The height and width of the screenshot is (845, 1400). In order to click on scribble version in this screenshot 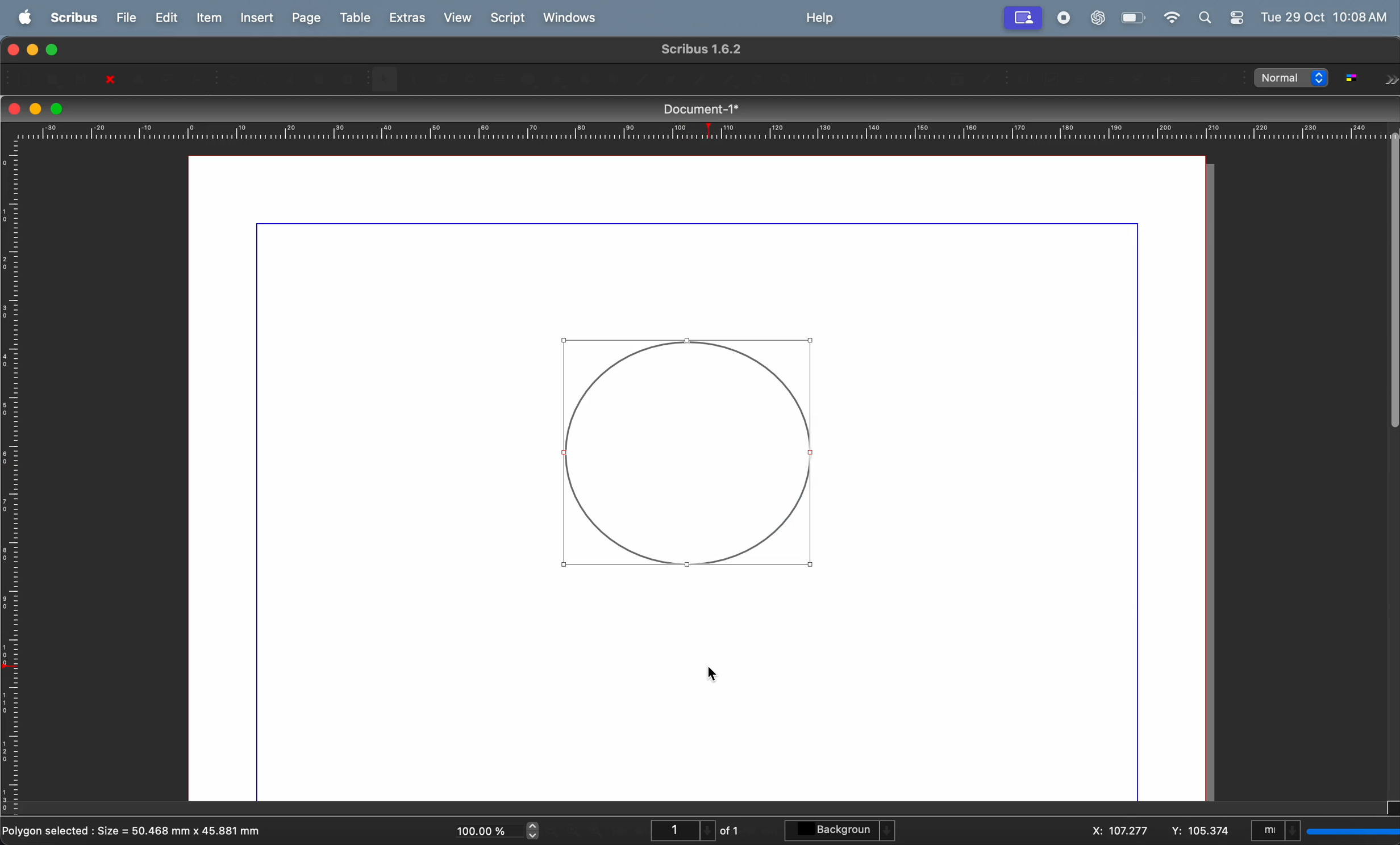, I will do `click(699, 49)`.